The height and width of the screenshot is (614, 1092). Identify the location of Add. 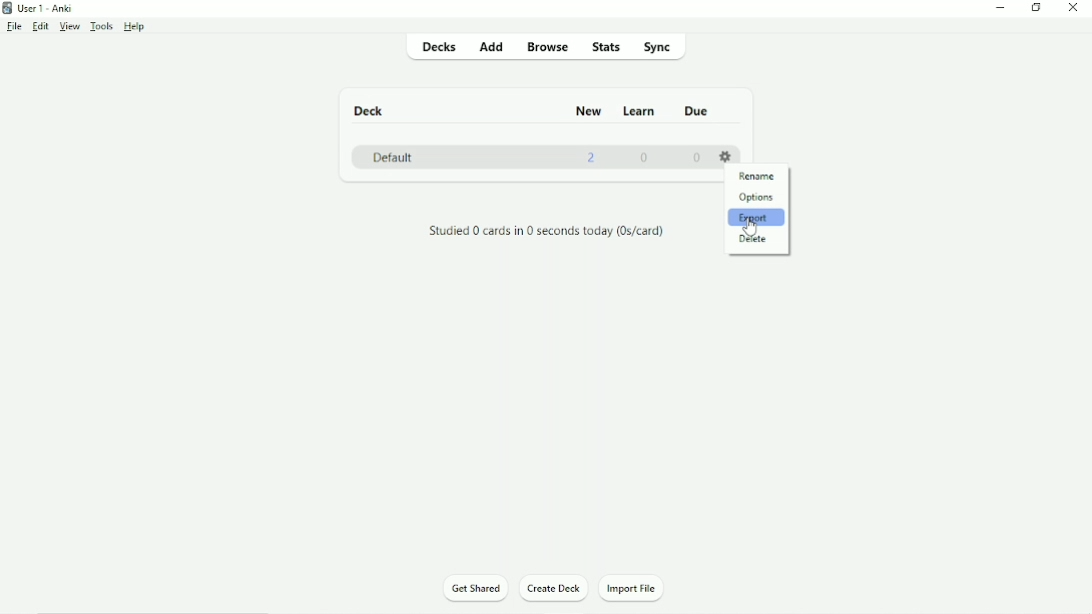
(492, 46).